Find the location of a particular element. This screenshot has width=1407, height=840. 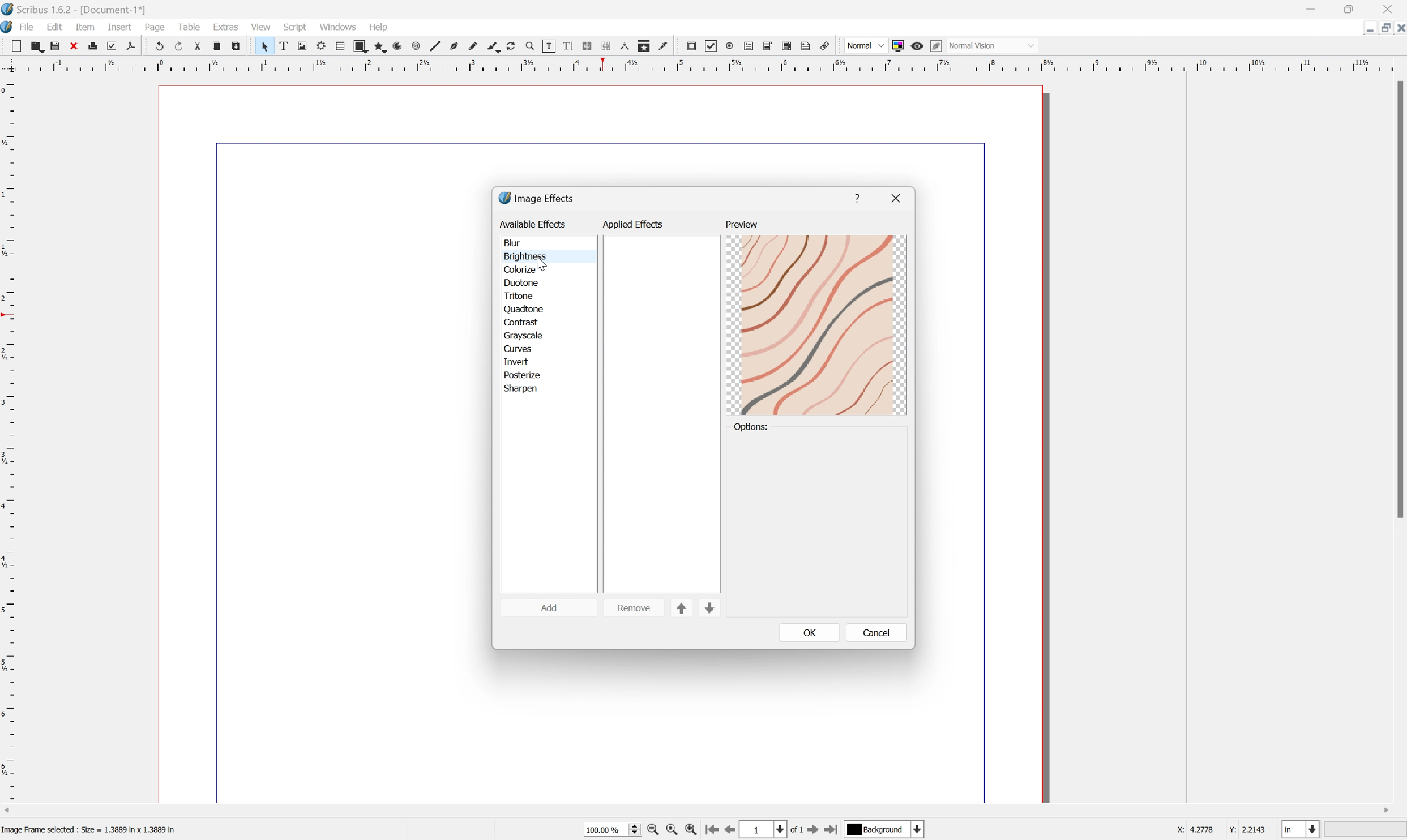

Next Page is located at coordinates (816, 830).